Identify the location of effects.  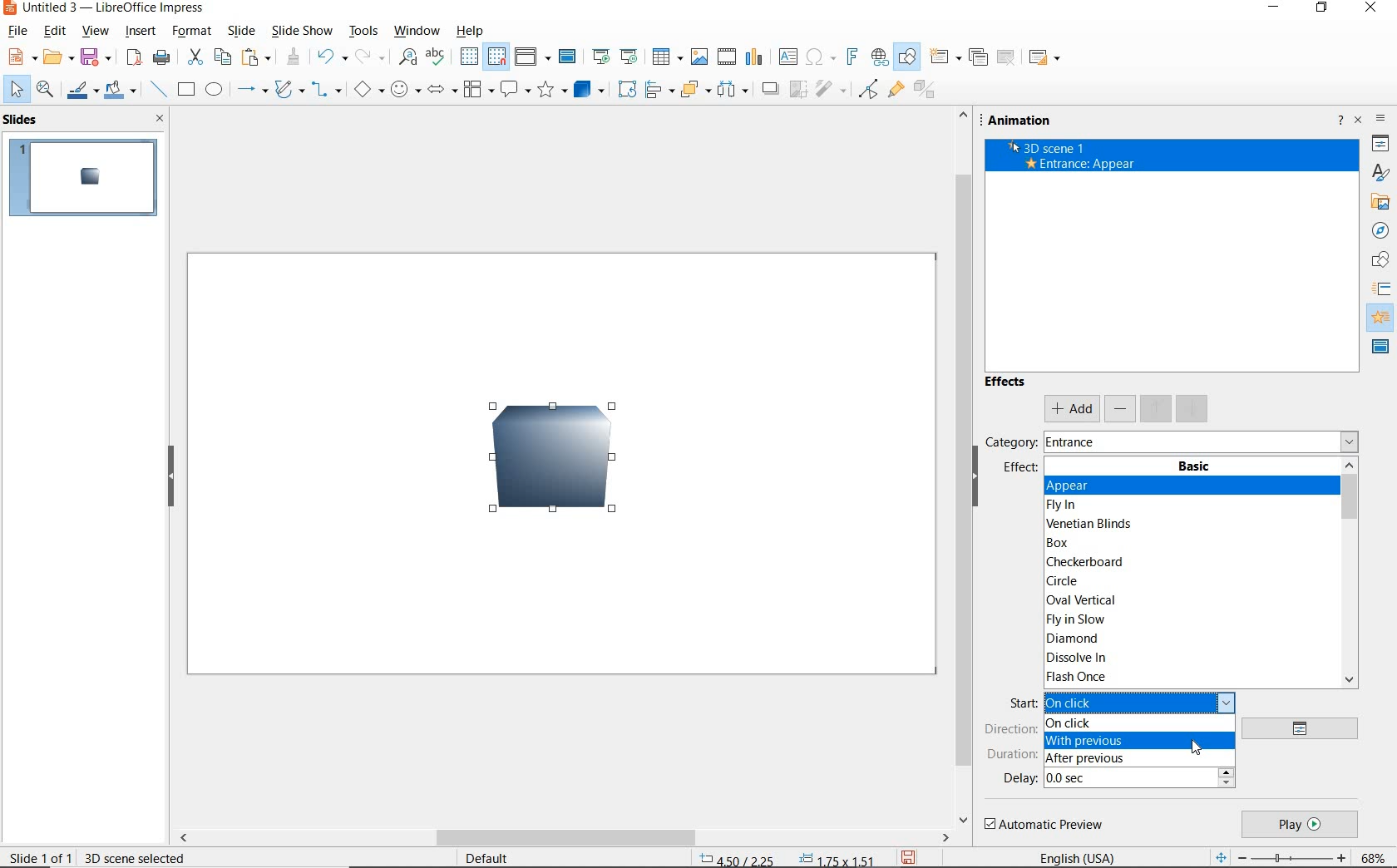
(1007, 385).